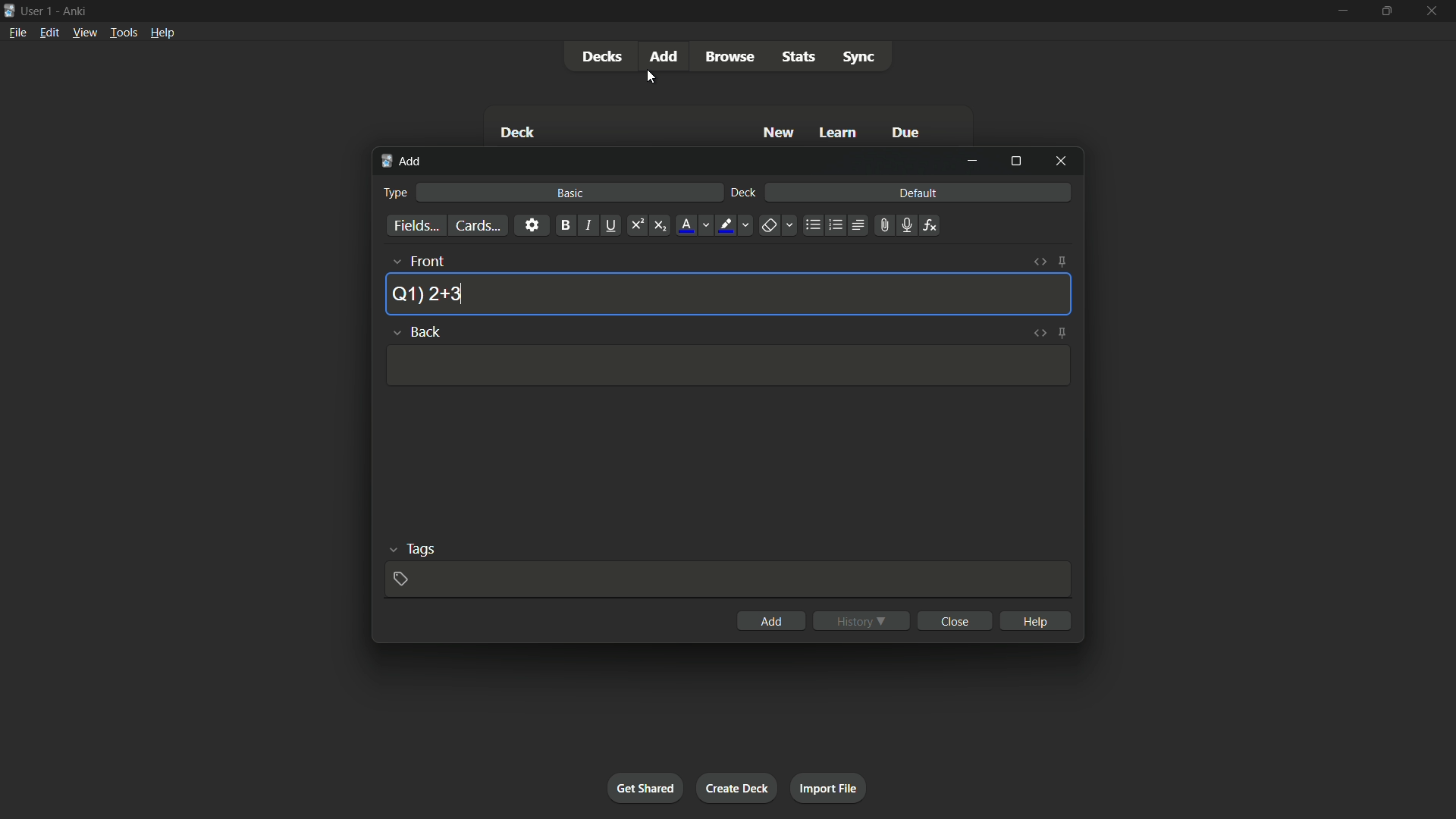  Describe the element at coordinates (906, 134) in the screenshot. I see `due` at that location.